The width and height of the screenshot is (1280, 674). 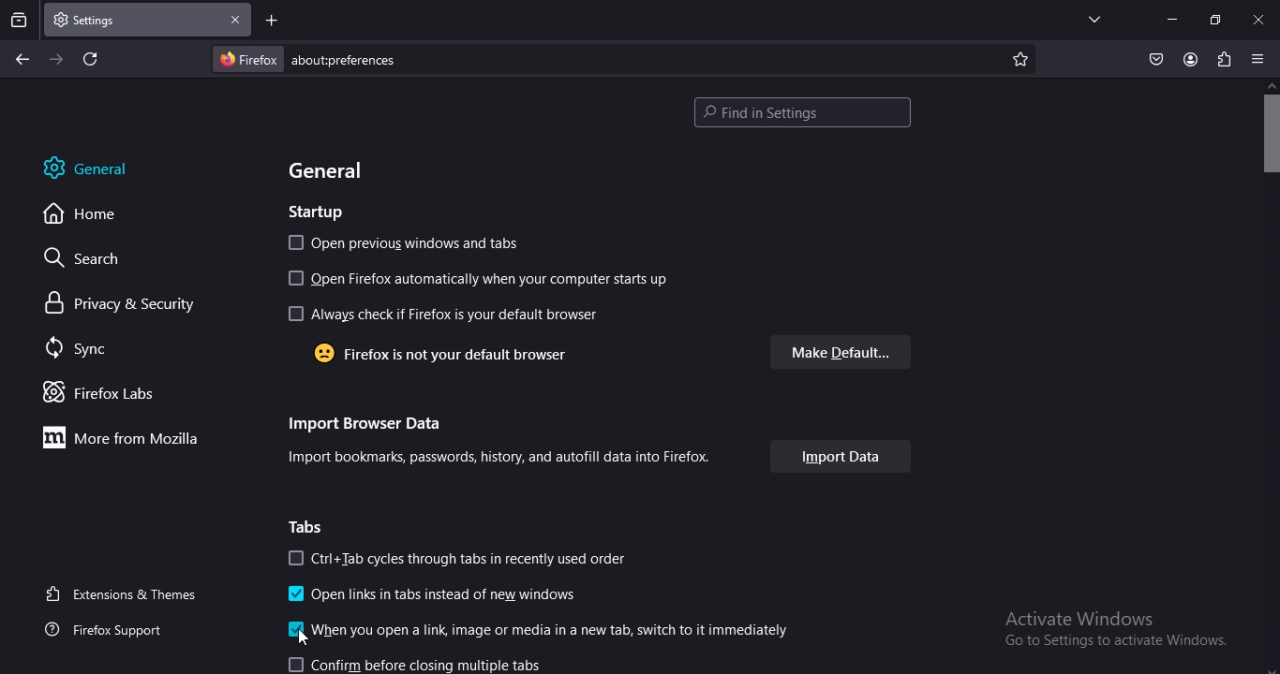 What do you see at coordinates (235, 19) in the screenshot?
I see `close tab` at bounding box center [235, 19].